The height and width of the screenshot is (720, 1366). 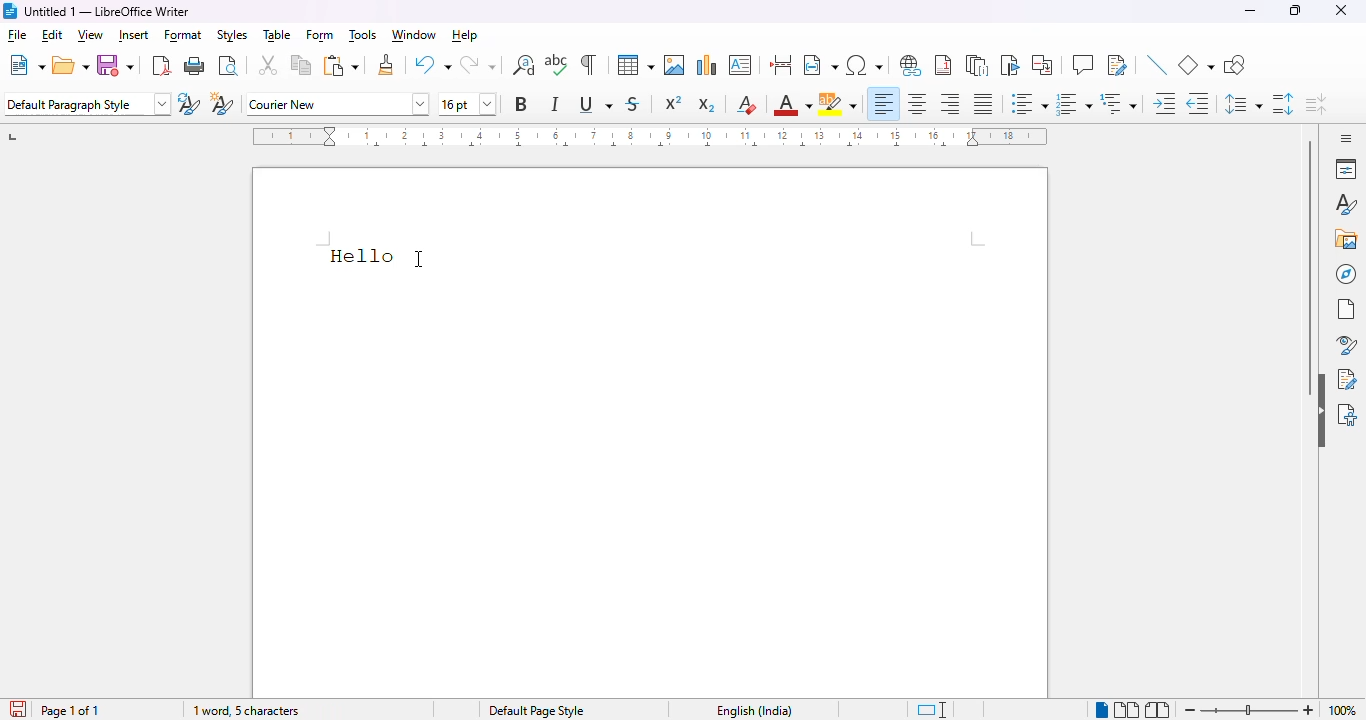 I want to click on form, so click(x=321, y=36).